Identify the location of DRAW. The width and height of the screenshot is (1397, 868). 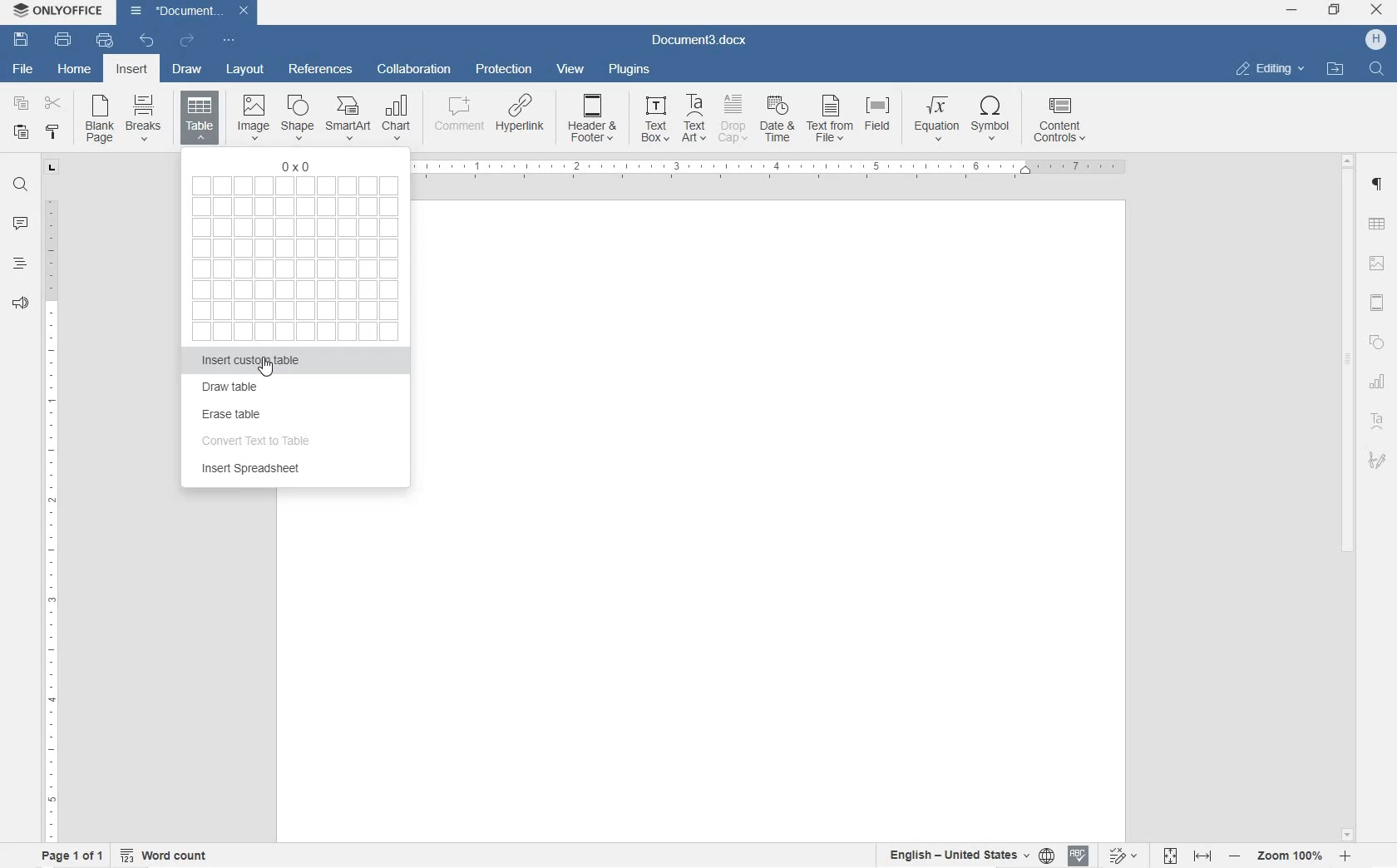
(185, 72).